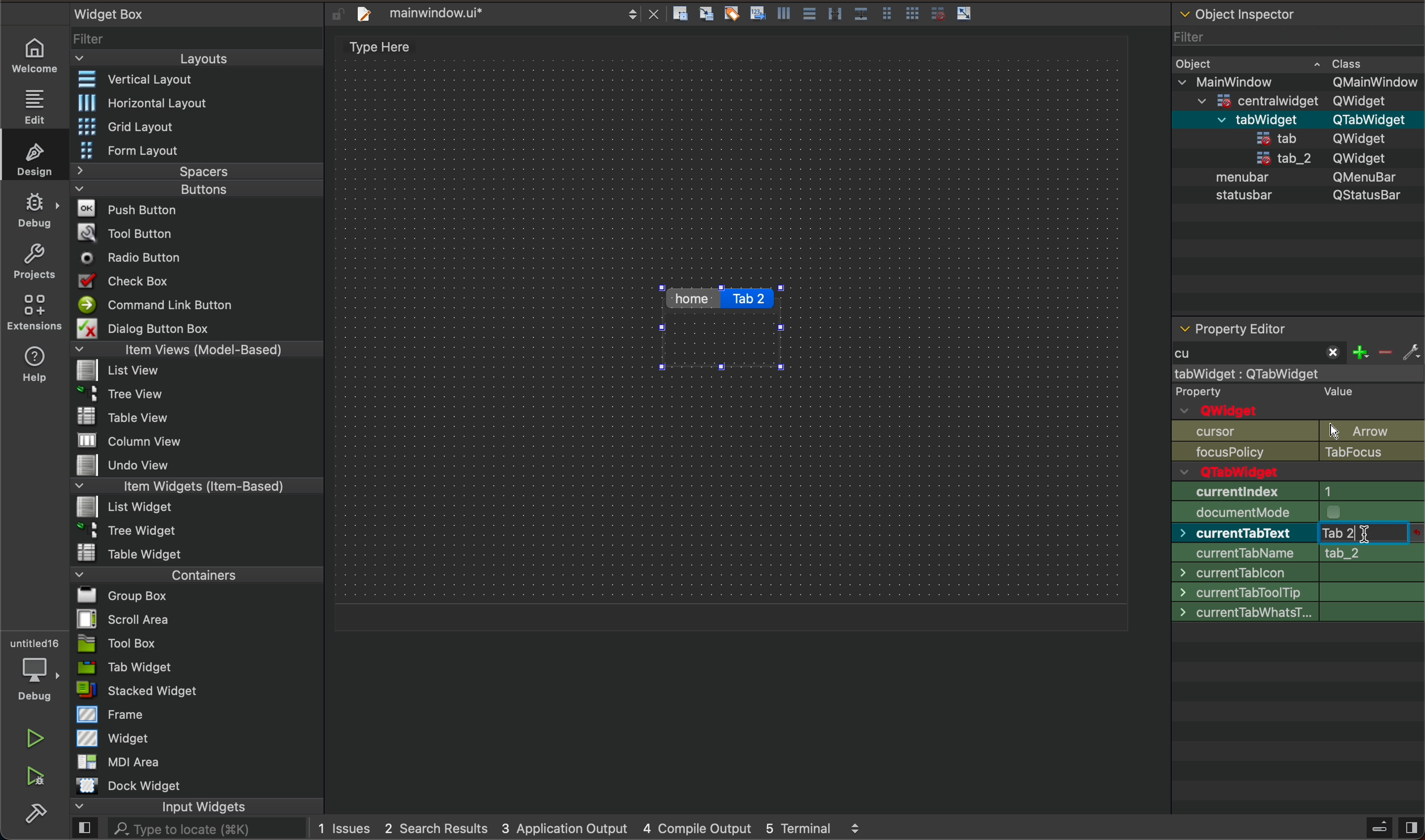  I want to click on close sidebar, so click(1389, 828).